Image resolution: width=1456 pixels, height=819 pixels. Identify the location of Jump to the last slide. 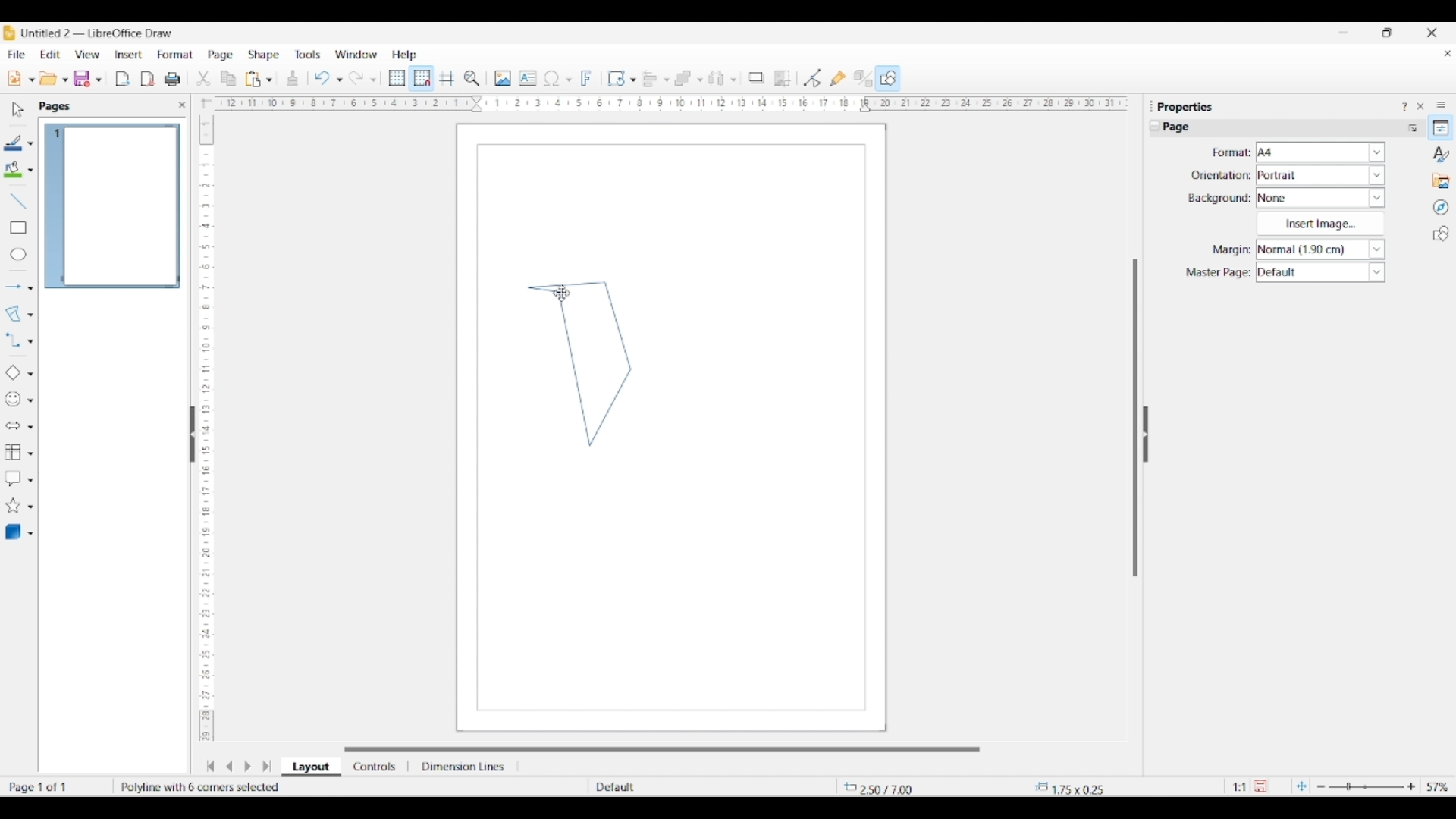
(267, 766).